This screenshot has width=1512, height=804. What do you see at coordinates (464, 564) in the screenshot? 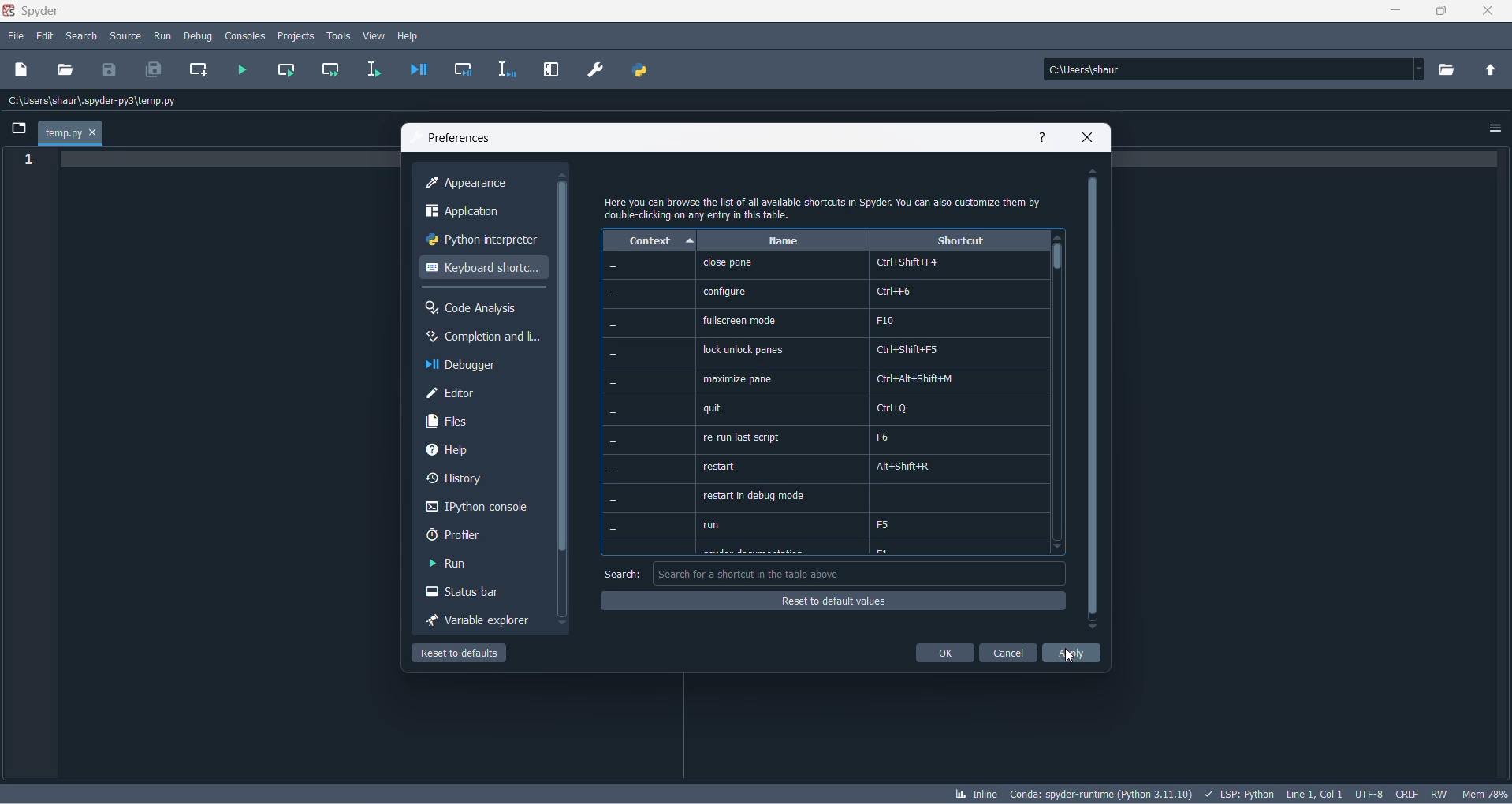
I see `run` at bounding box center [464, 564].